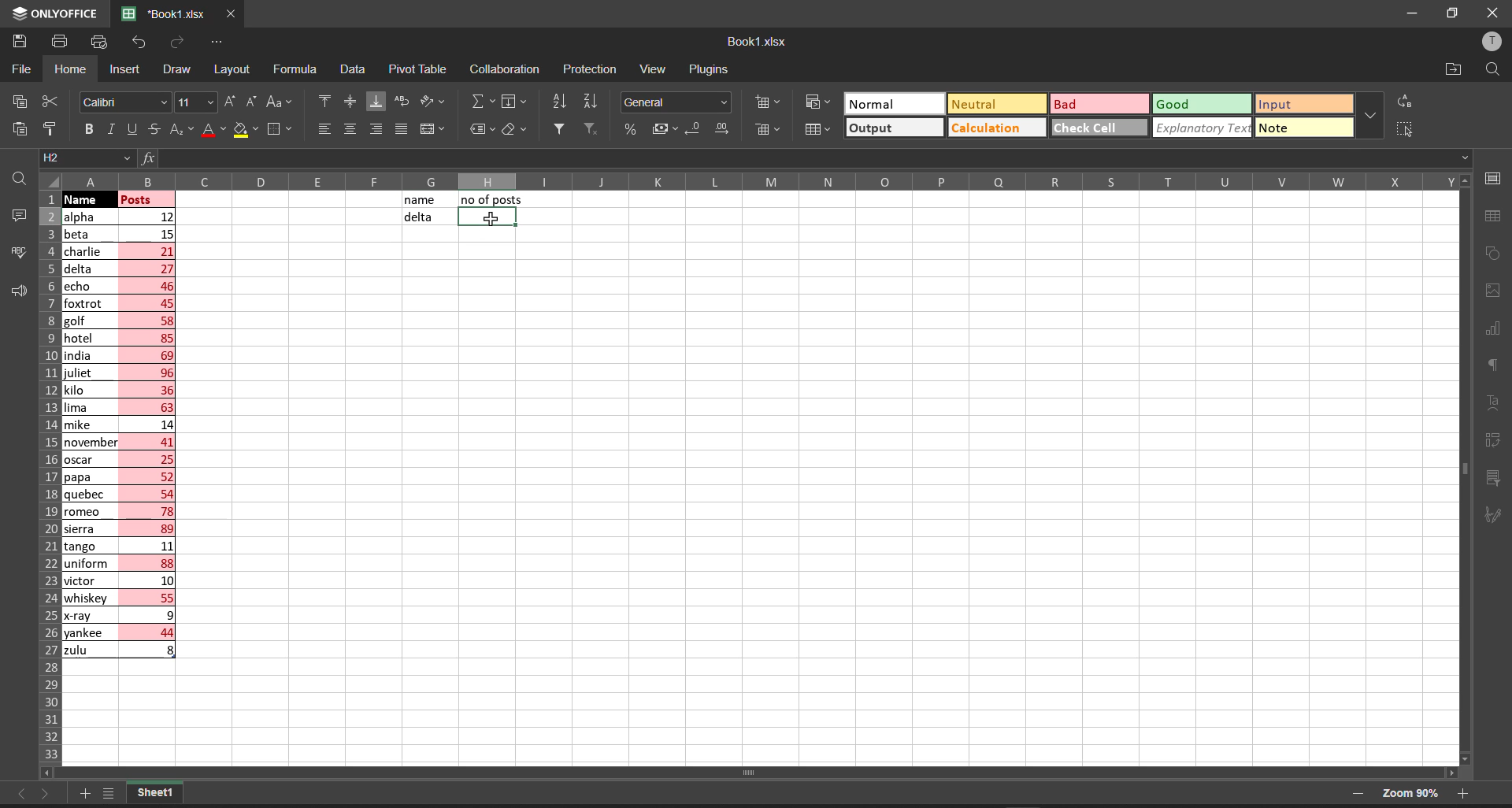 The width and height of the screenshot is (1512, 808). Describe the element at coordinates (1466, 795) in the screenshot. I see `zoom in` at that location.